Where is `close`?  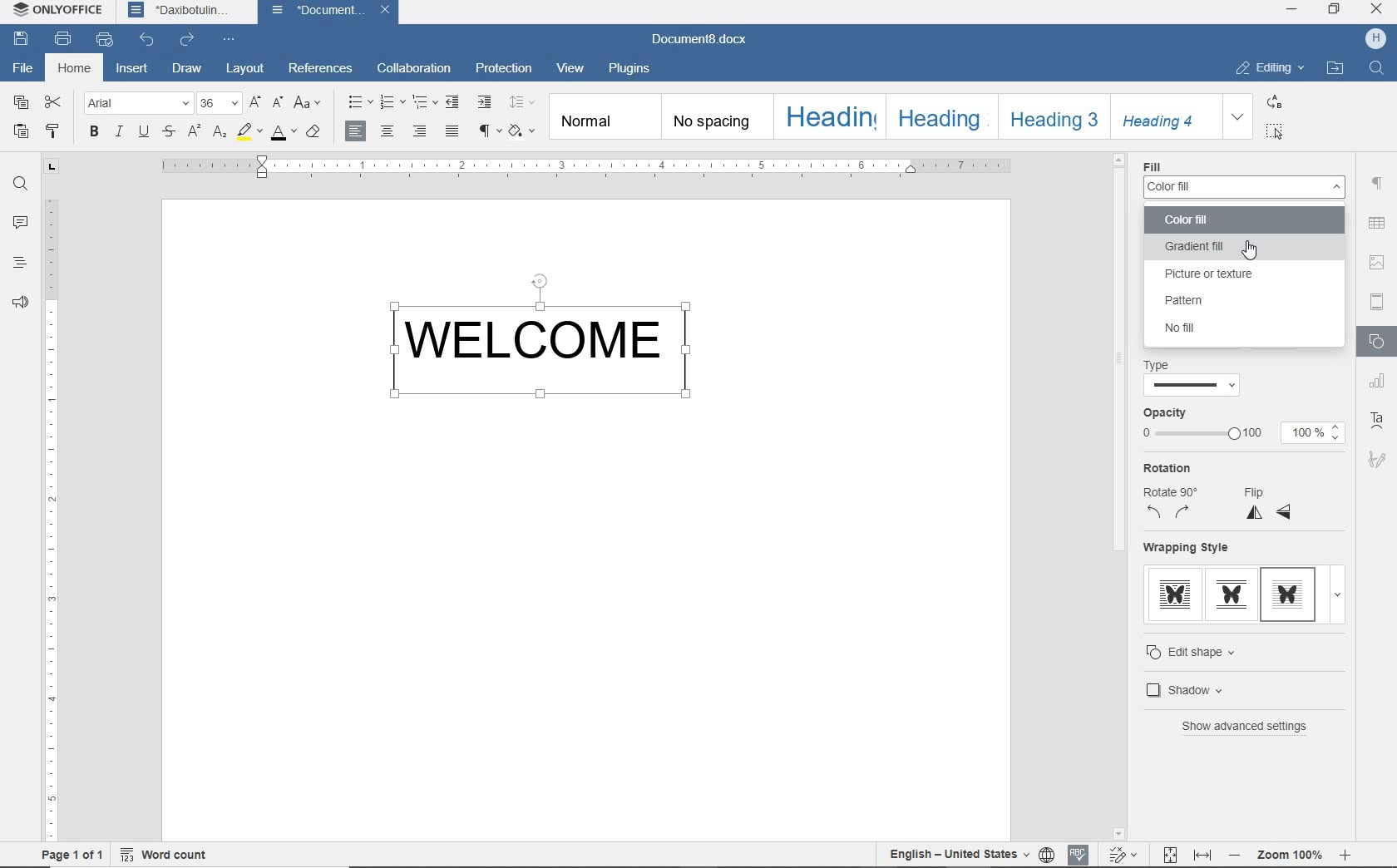
close is located at coordinates (388, 10).